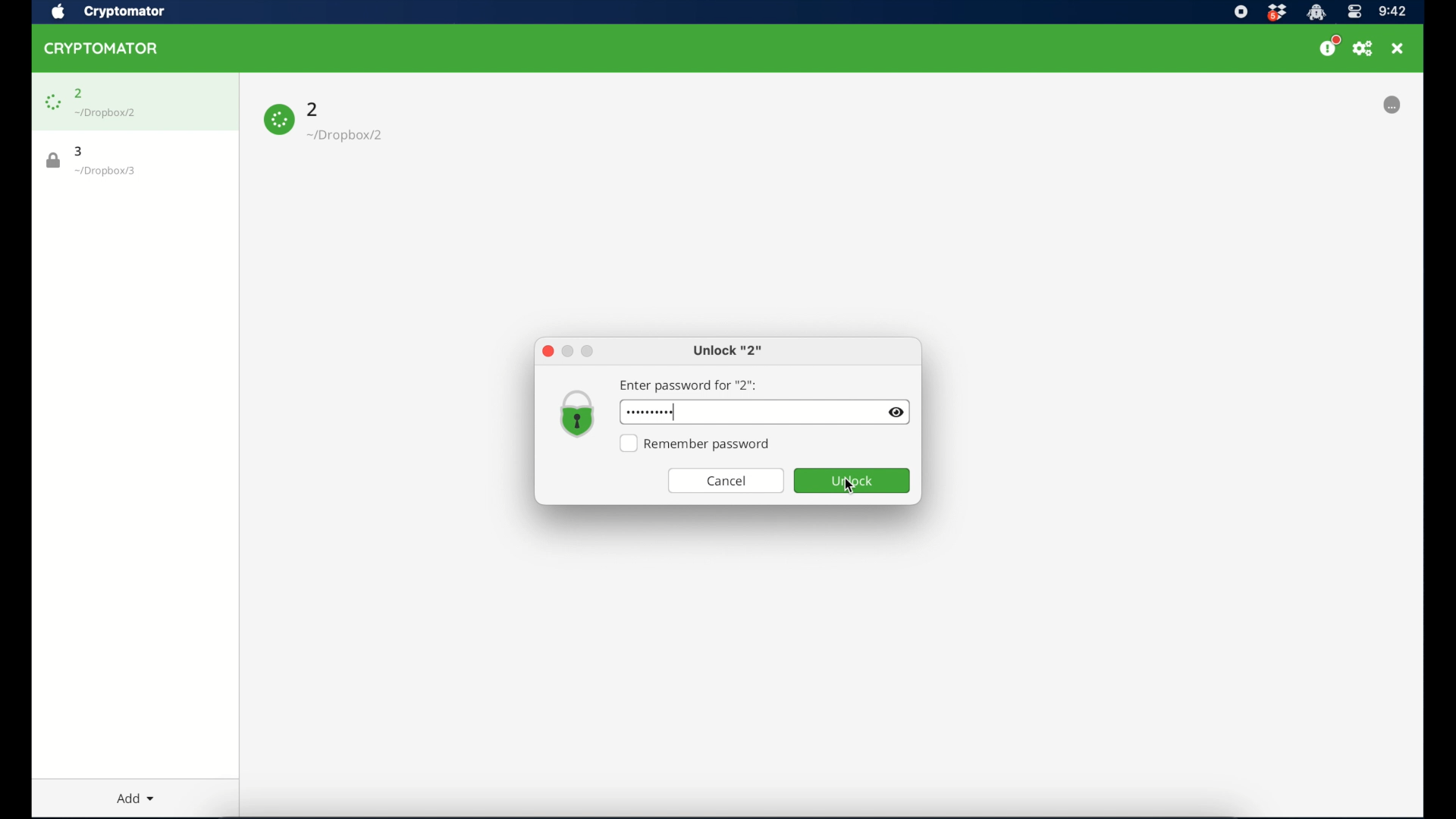 The width and height of the screenshot is (1456, 819). Describe the element at coordinates (726, 481) in the screenshot. I see `cancel` at that location.